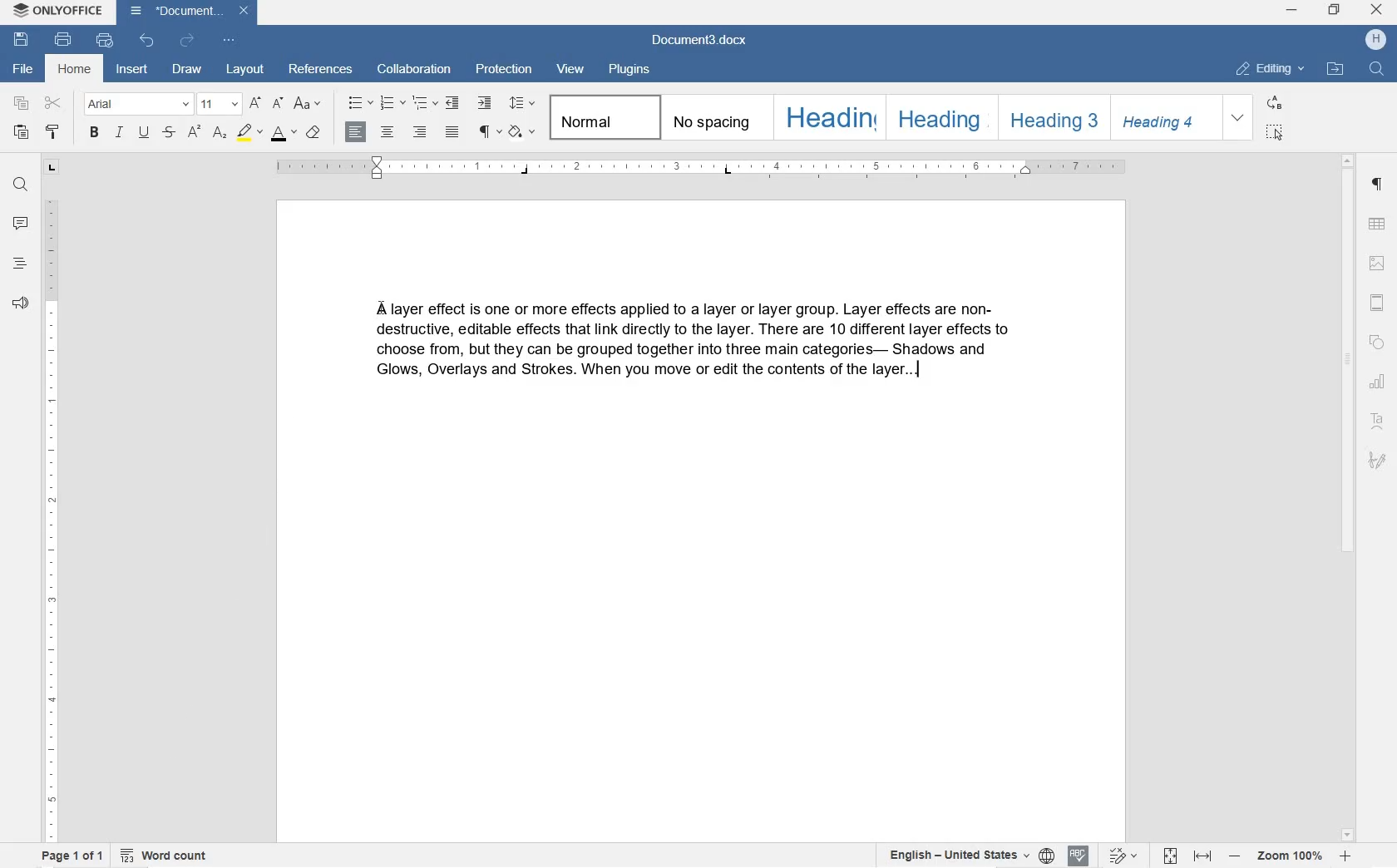 The width and height of the screenshot is (1397, 868). Describe the element at coordinates (52, 132) in the screenshot. I see `COPY STYLE` at that location.